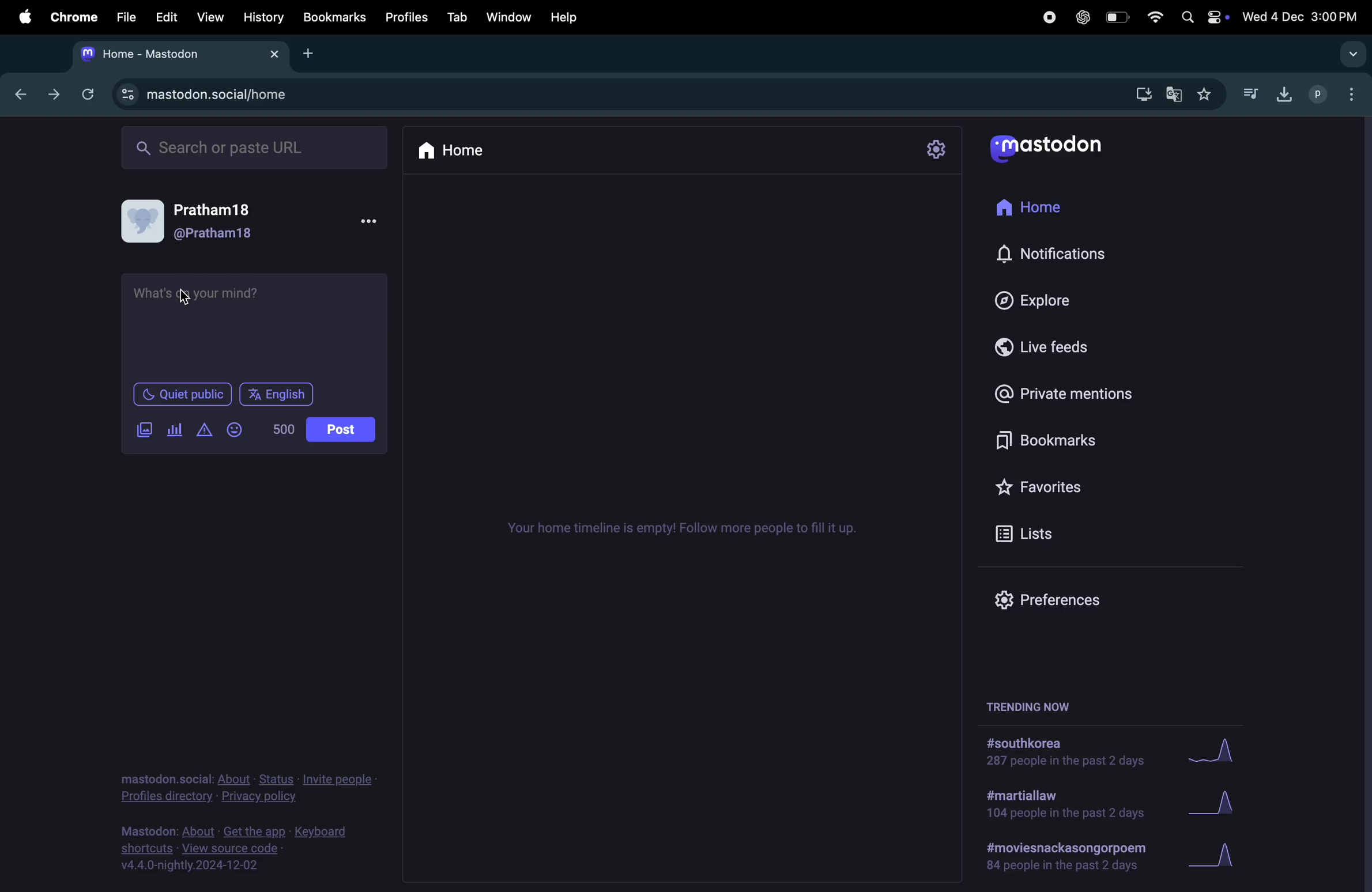  I want to click on chrome, so click(70, 19).